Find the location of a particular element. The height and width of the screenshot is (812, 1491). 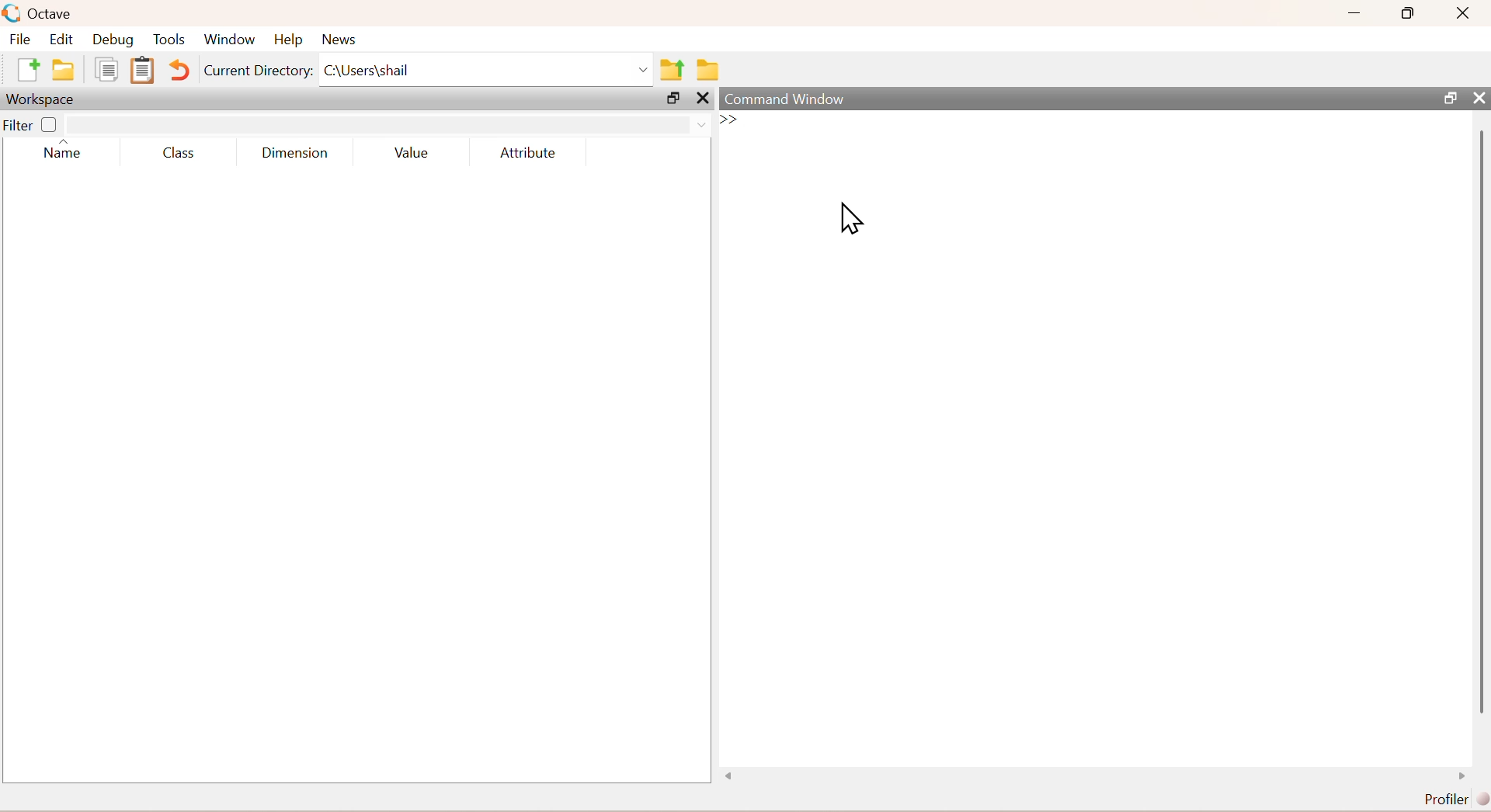

close is located at coordinates (1479, 98).